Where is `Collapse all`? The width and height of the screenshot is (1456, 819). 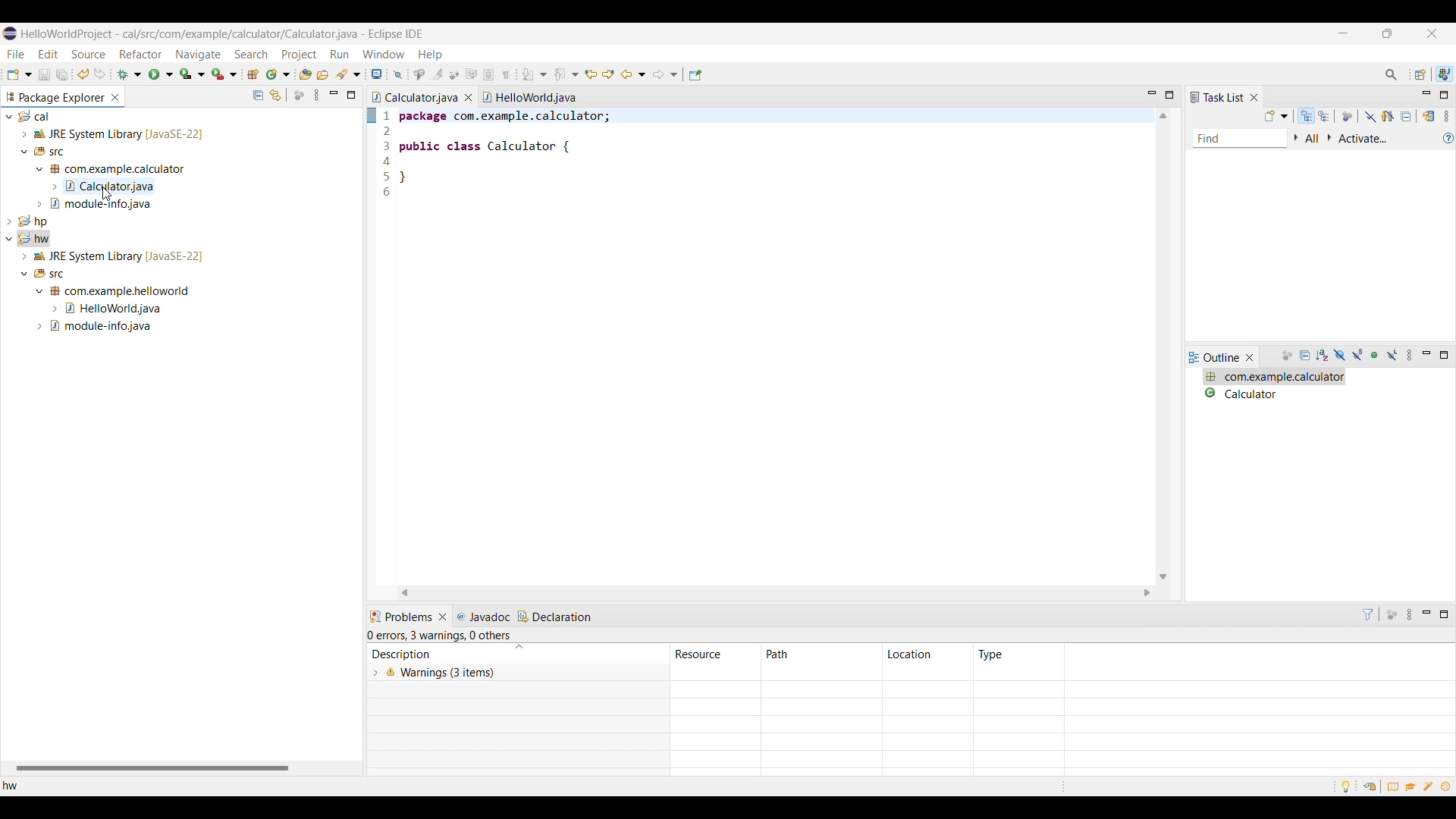
Collapse all is located at coordinates (1306, 356).